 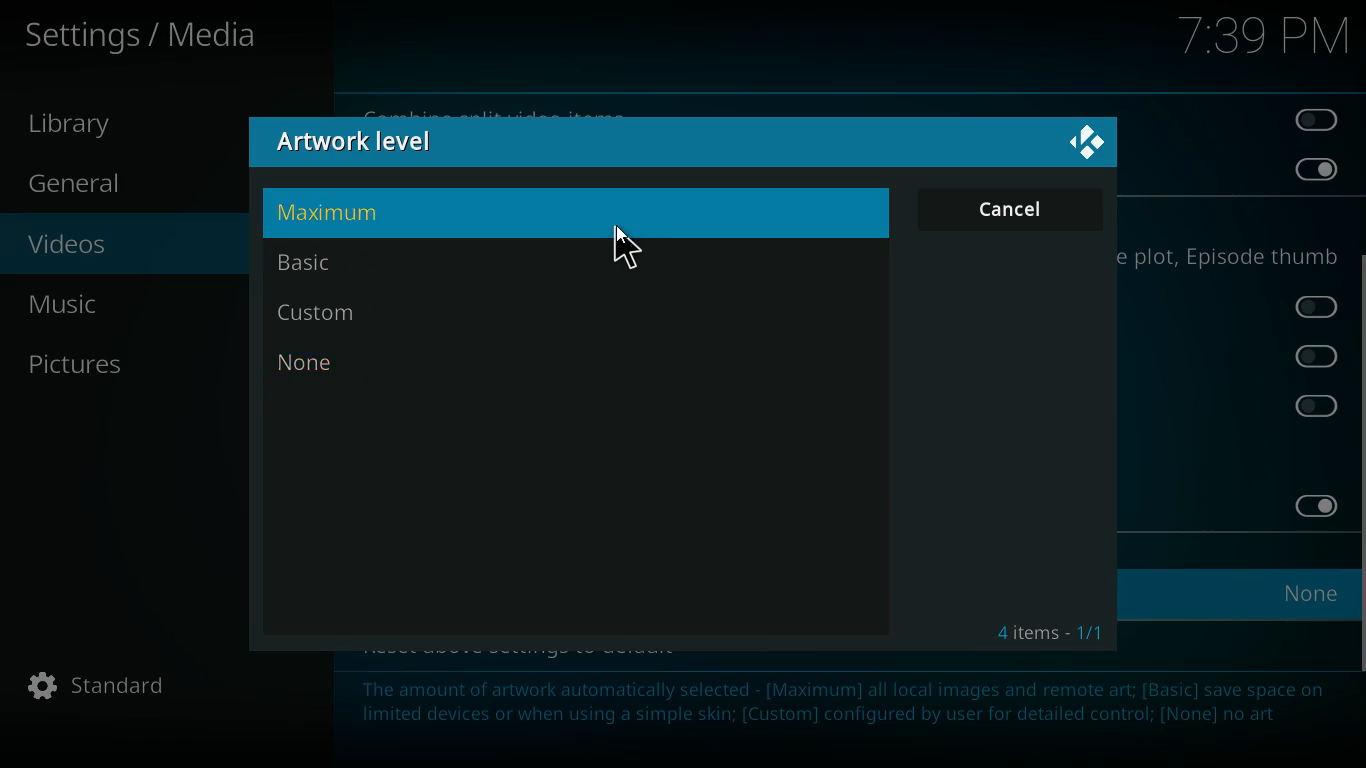 What do you see at coordinates (1050, 634) in the screenshot?
I see `items` at bounding box center [1050, 634].